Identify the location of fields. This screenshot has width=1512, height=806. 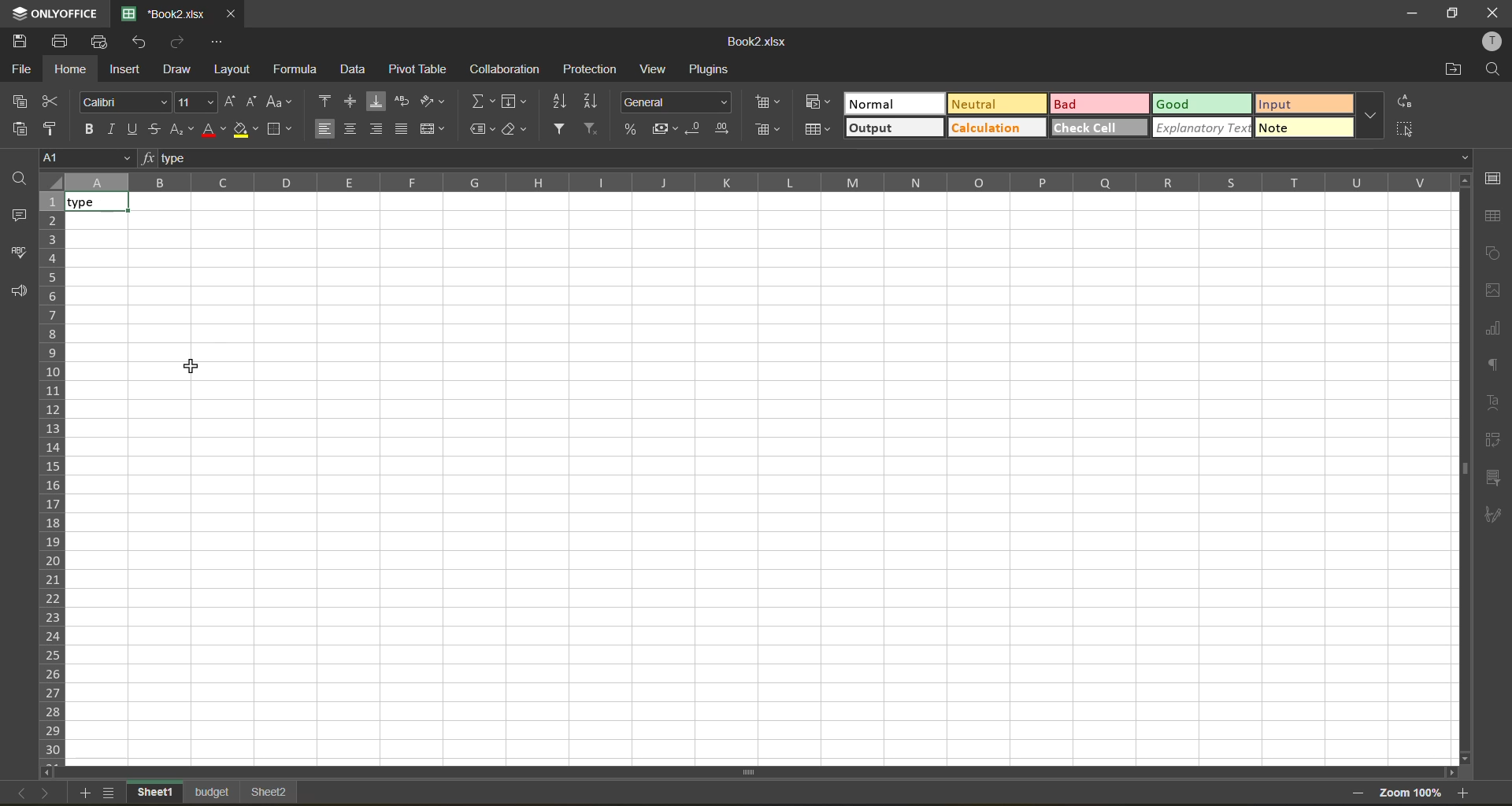
(513, 104).